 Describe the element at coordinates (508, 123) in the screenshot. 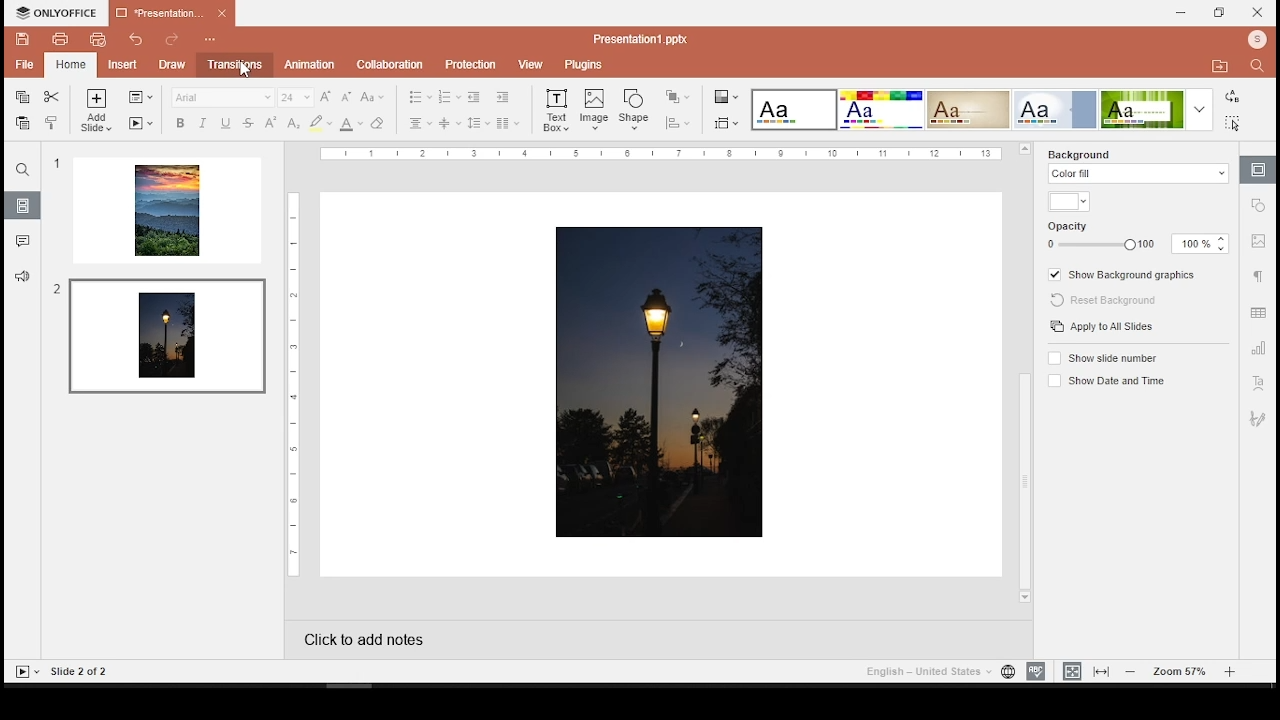

I see `columns` at that location.